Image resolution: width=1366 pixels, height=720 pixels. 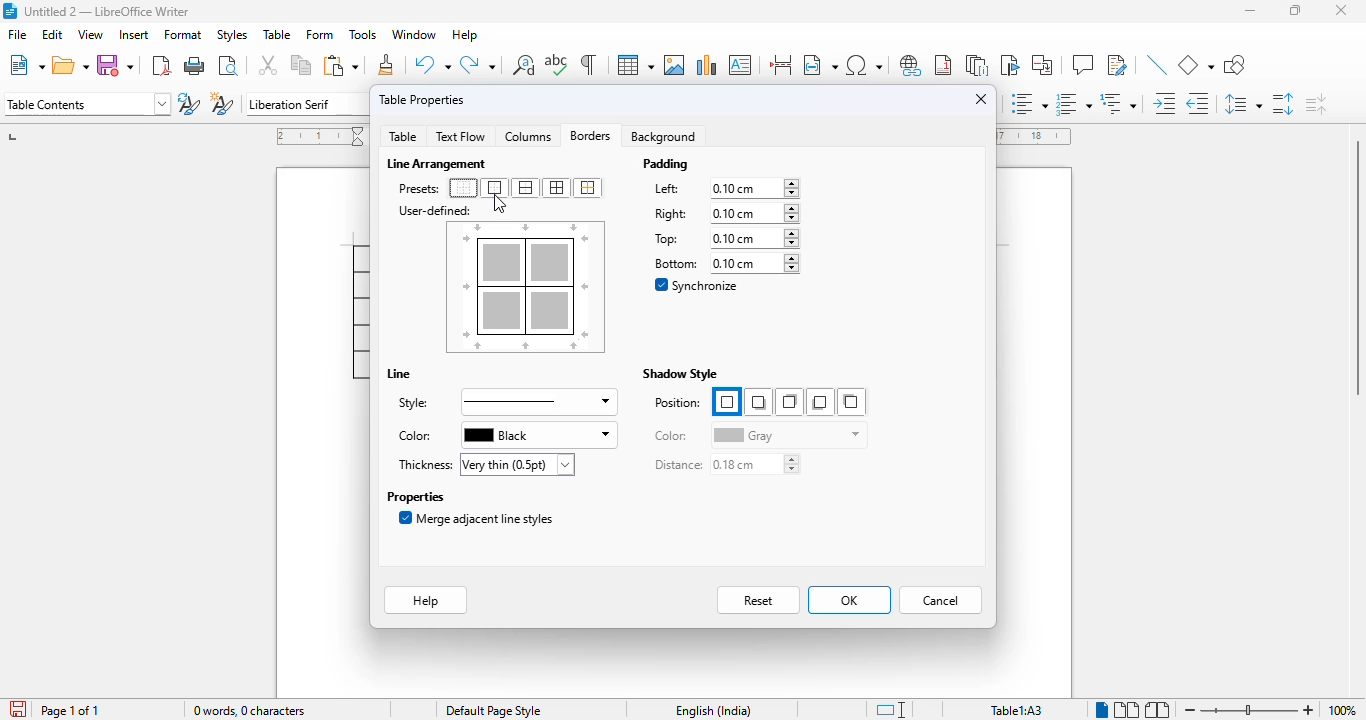 I want to click on thickness: very thin (0.5pt), so click(x=484, y=464).